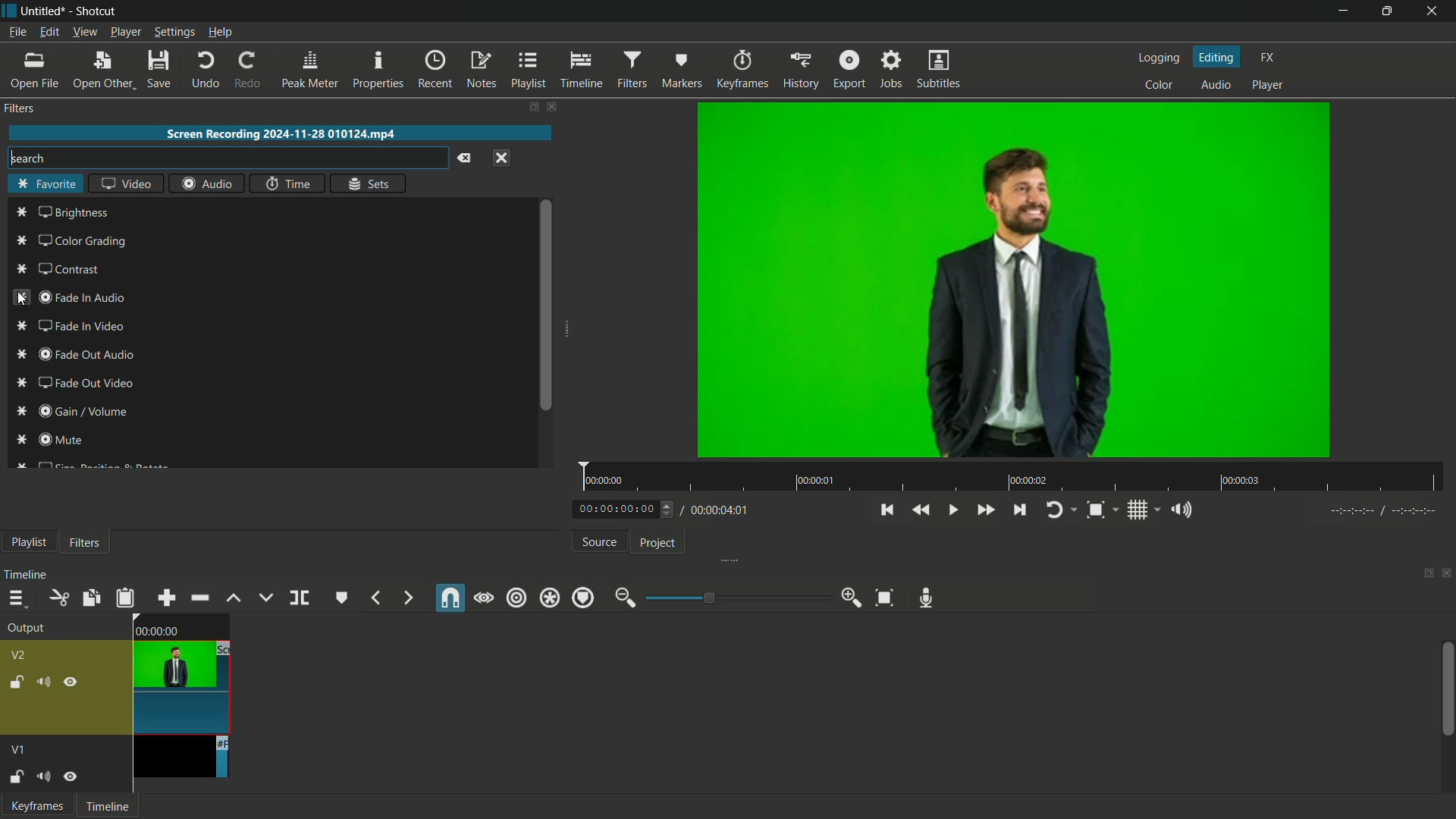  What do you see at coordinates (741, 70) in the screenshot?
I see `keyframes` at bounding box center [741, 70].